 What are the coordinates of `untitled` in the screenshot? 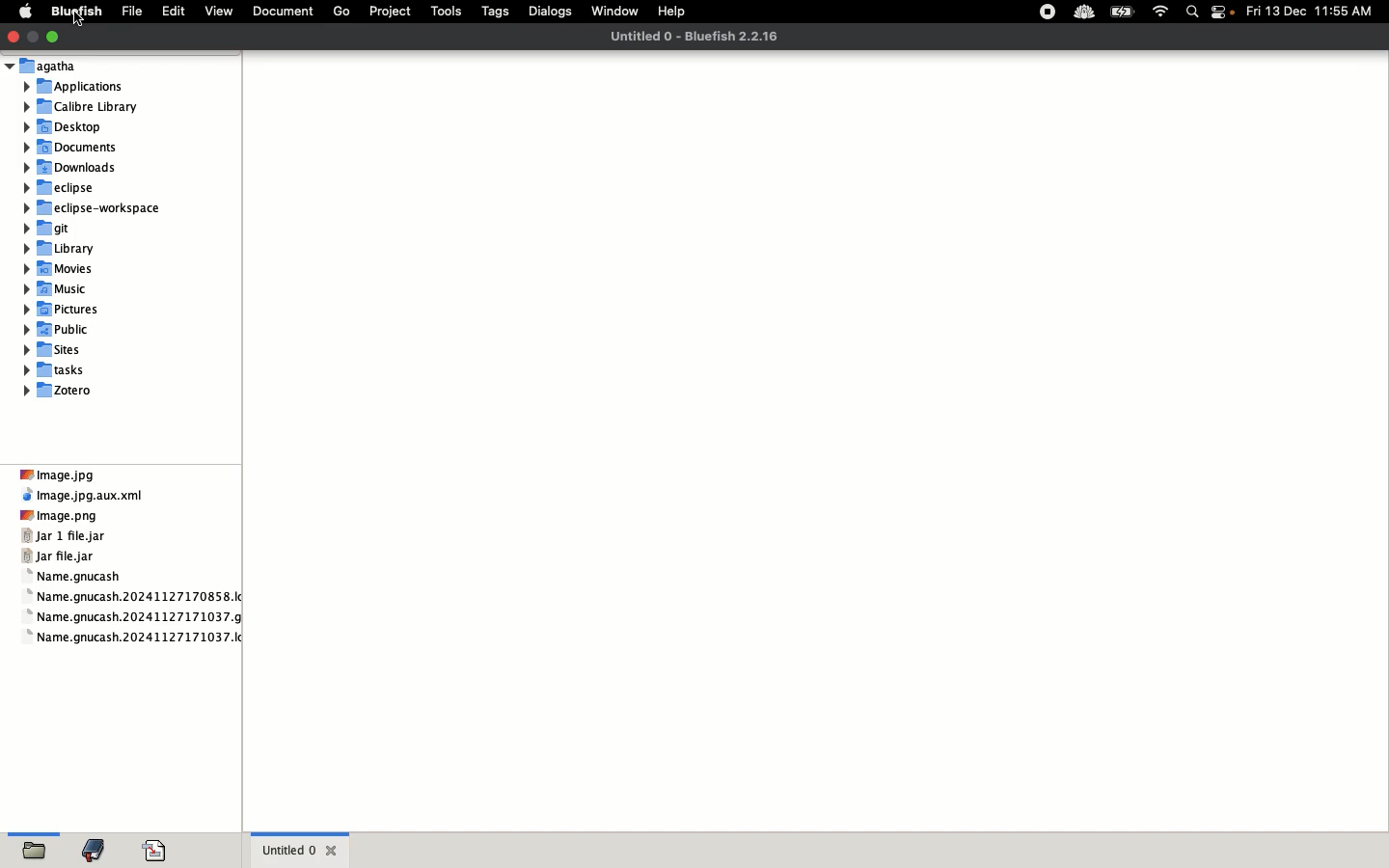 It's located at (302, 849).